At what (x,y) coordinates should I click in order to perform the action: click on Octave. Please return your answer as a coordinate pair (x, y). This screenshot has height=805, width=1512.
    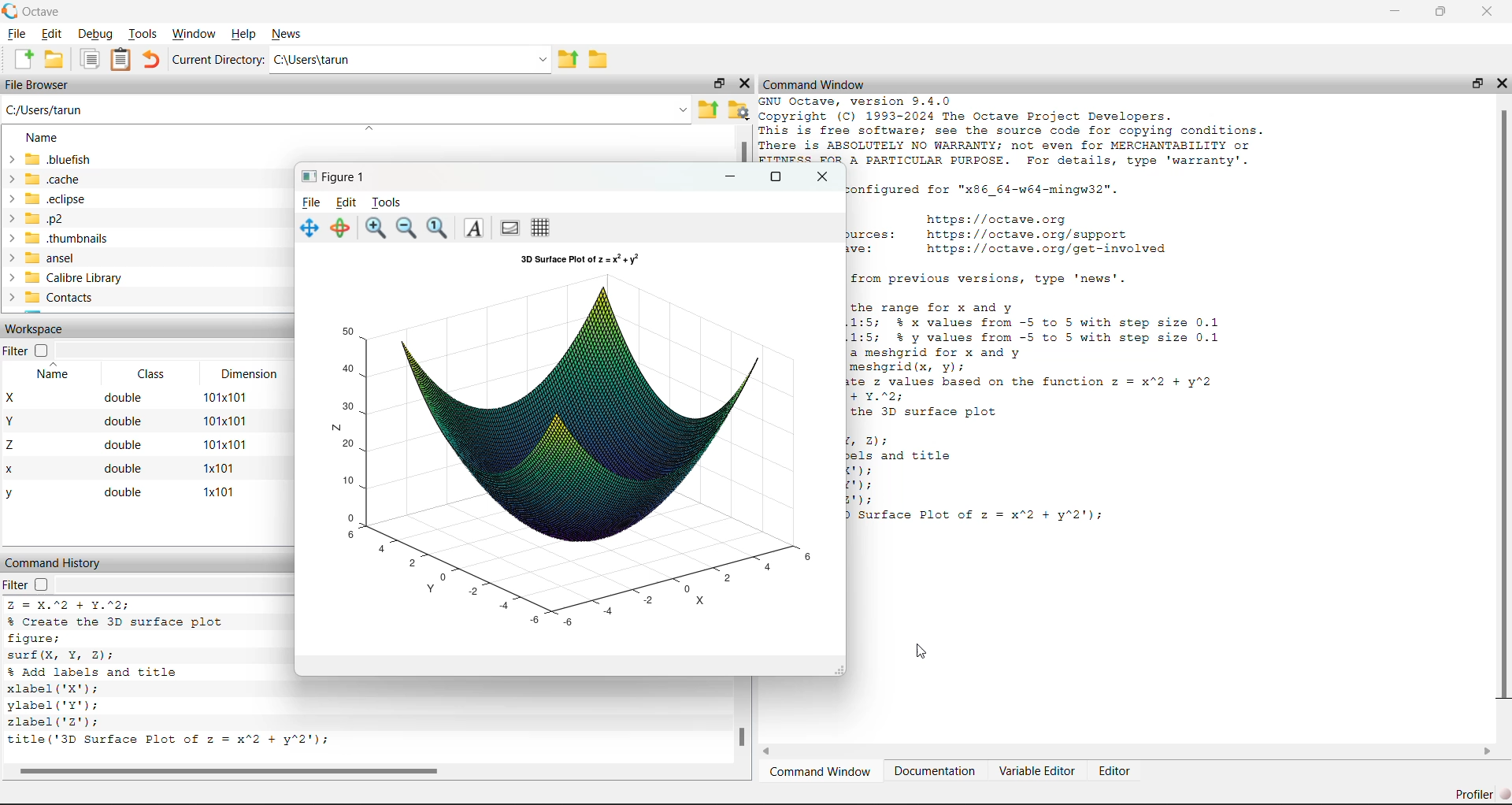
    Looking at the image, I should click on (33, 12).